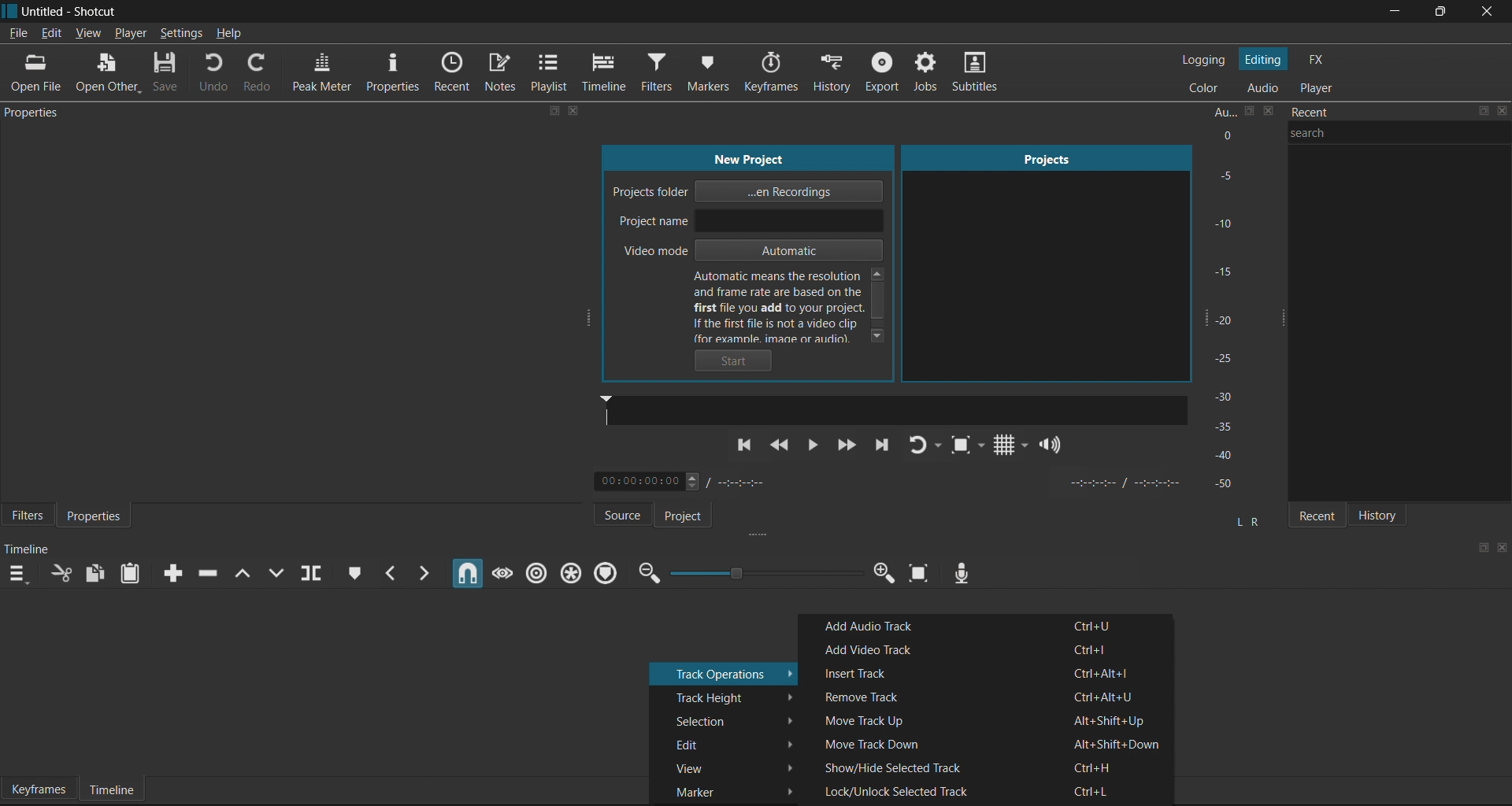  What do you see at coordinates (61, 575) in the screenshot?
I see `Cut` at bounding box center [61, 575].